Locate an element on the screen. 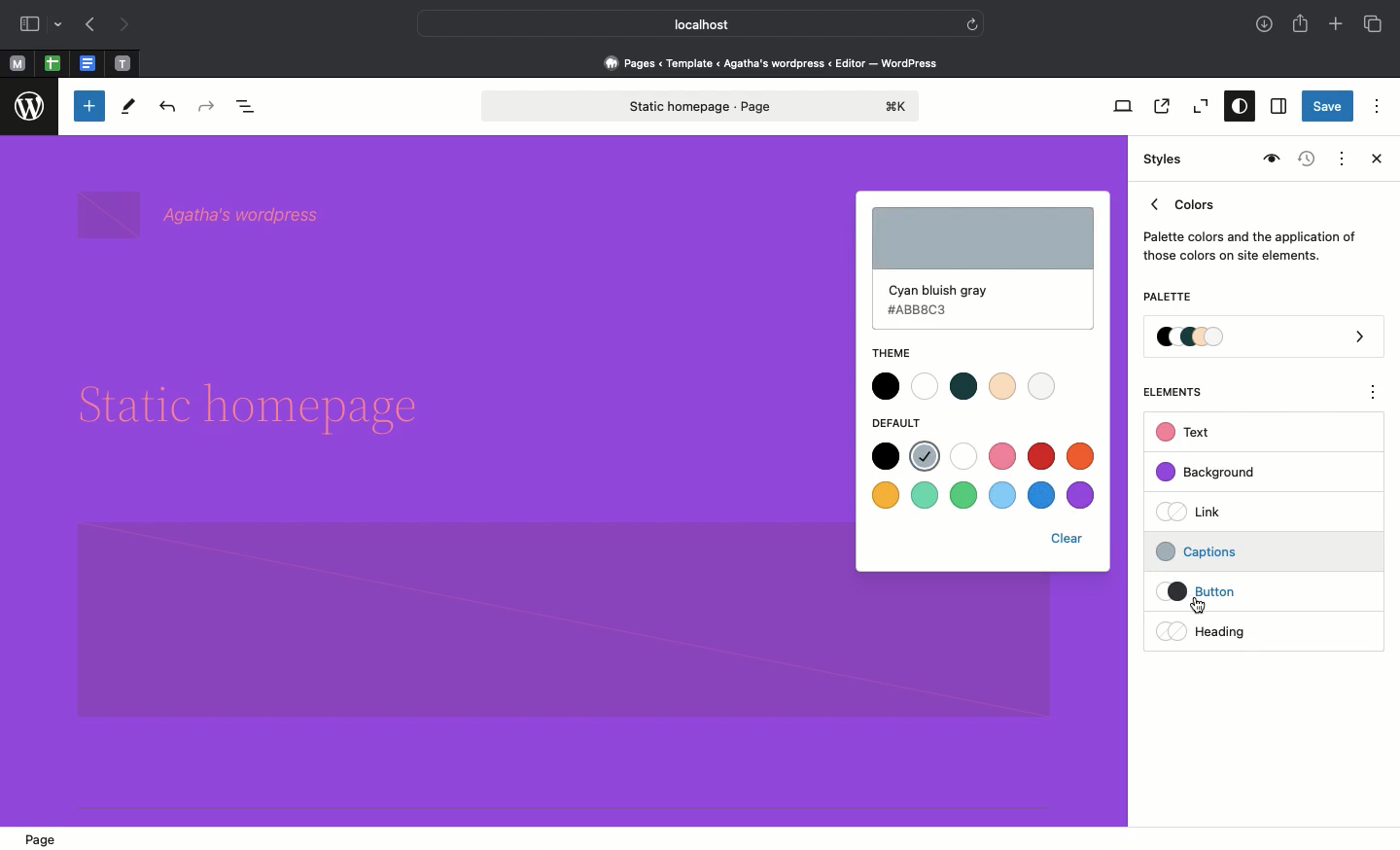 The image size is (1400, 850). Add new tab is located at coordinates (1338, 26).